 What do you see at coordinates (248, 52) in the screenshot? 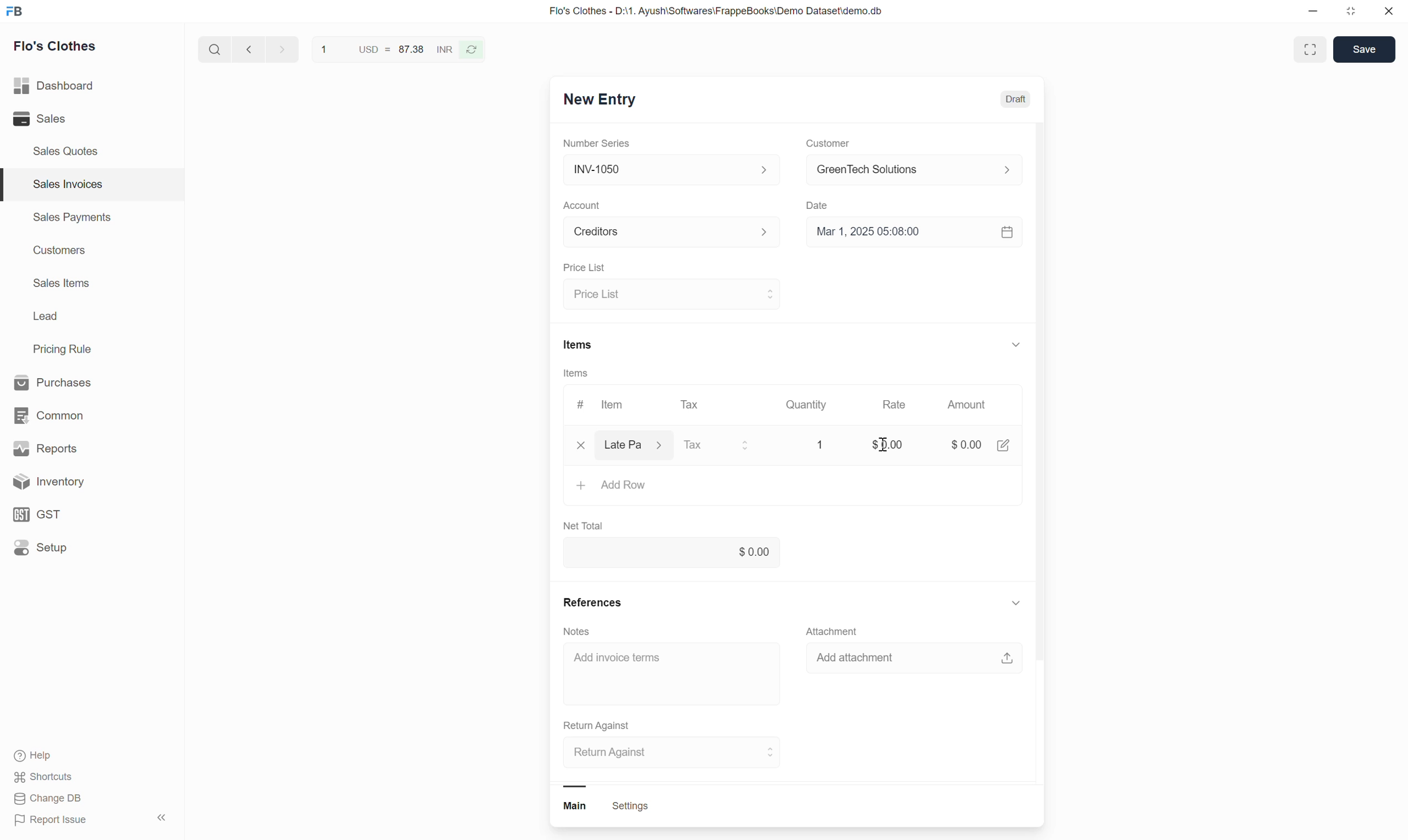
I see `go back ` at bounding box center [248, 52].